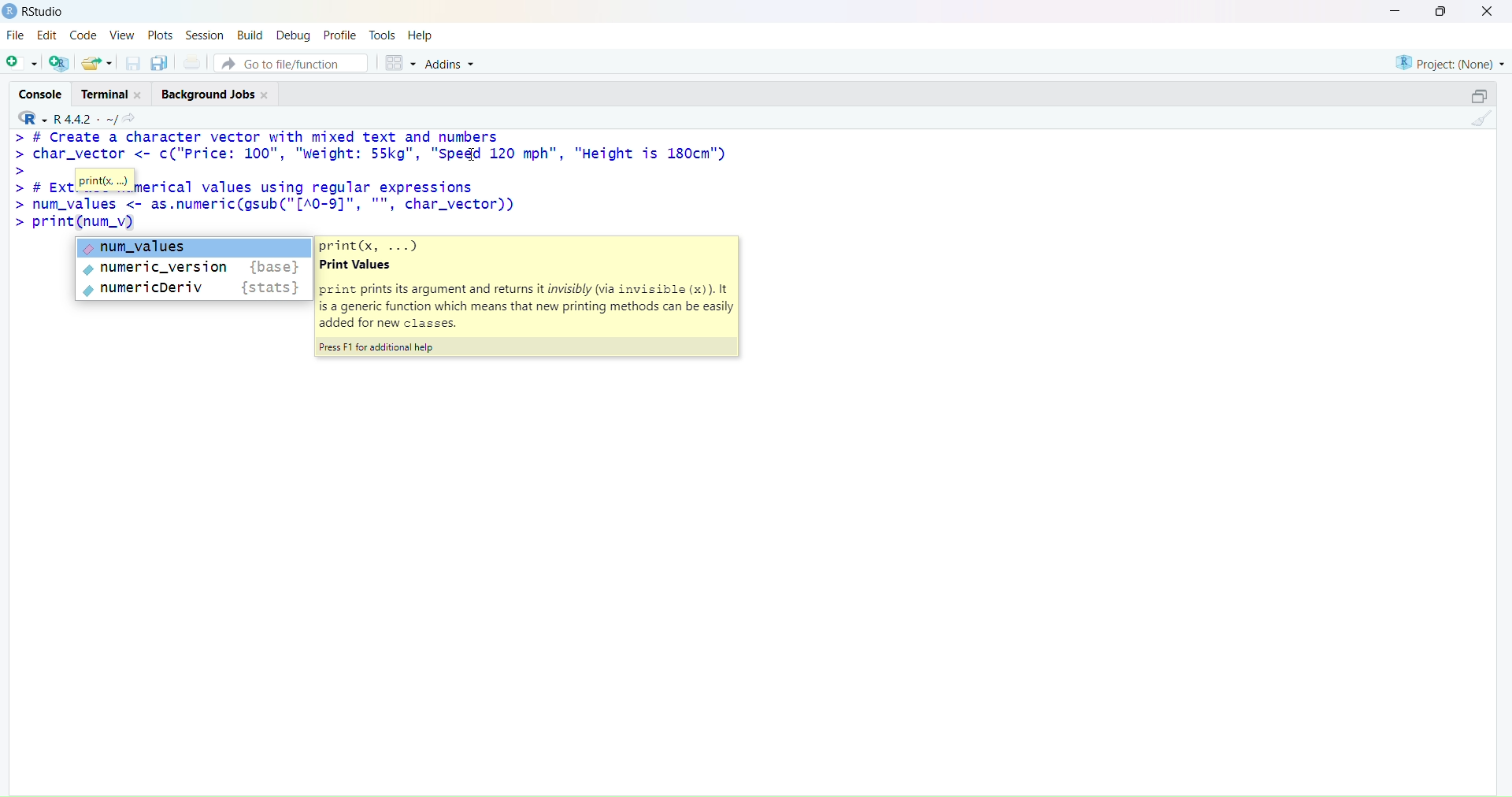 This screenshot has width=1512, height=797. What do you see at coordinates (41, 95) in the screenshot?
I see `cosole` at bounding box center [41, 95].